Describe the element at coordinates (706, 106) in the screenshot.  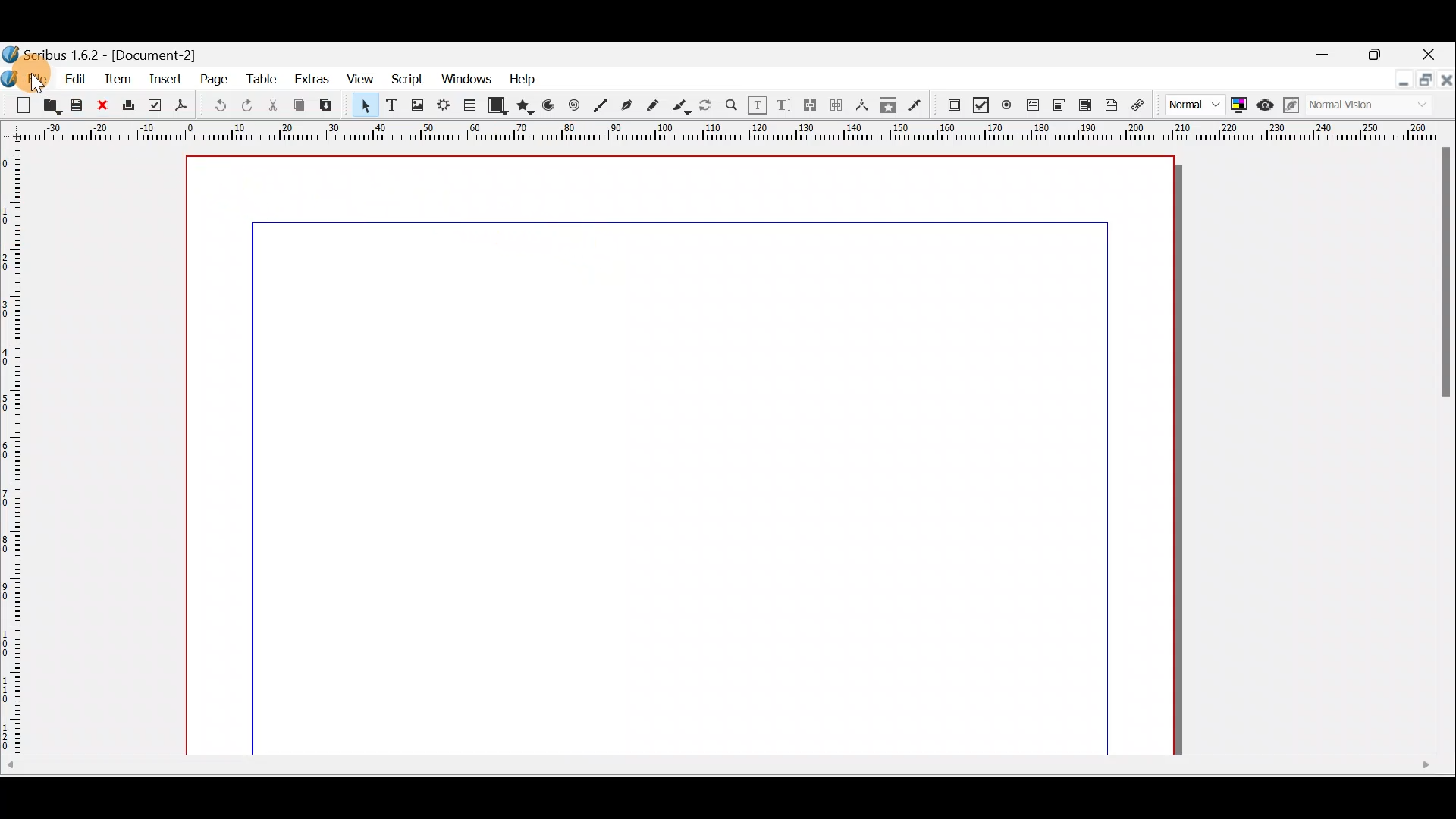
I see `Rotate item` at that location.